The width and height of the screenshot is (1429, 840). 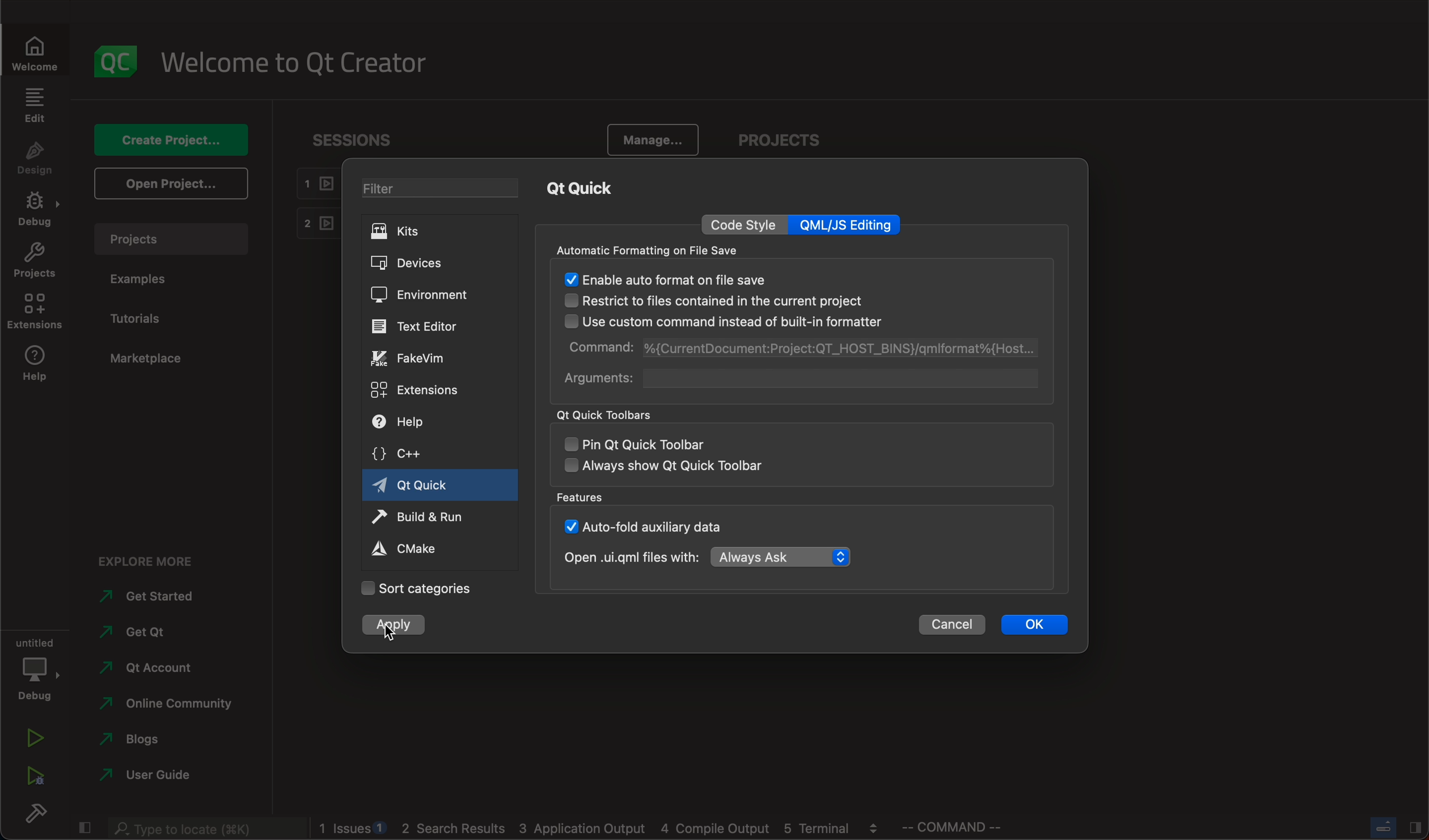 What do you see at coordinates (667, 444) in the screenshot?
I see `pin qt` at bounding box center [667, 444].